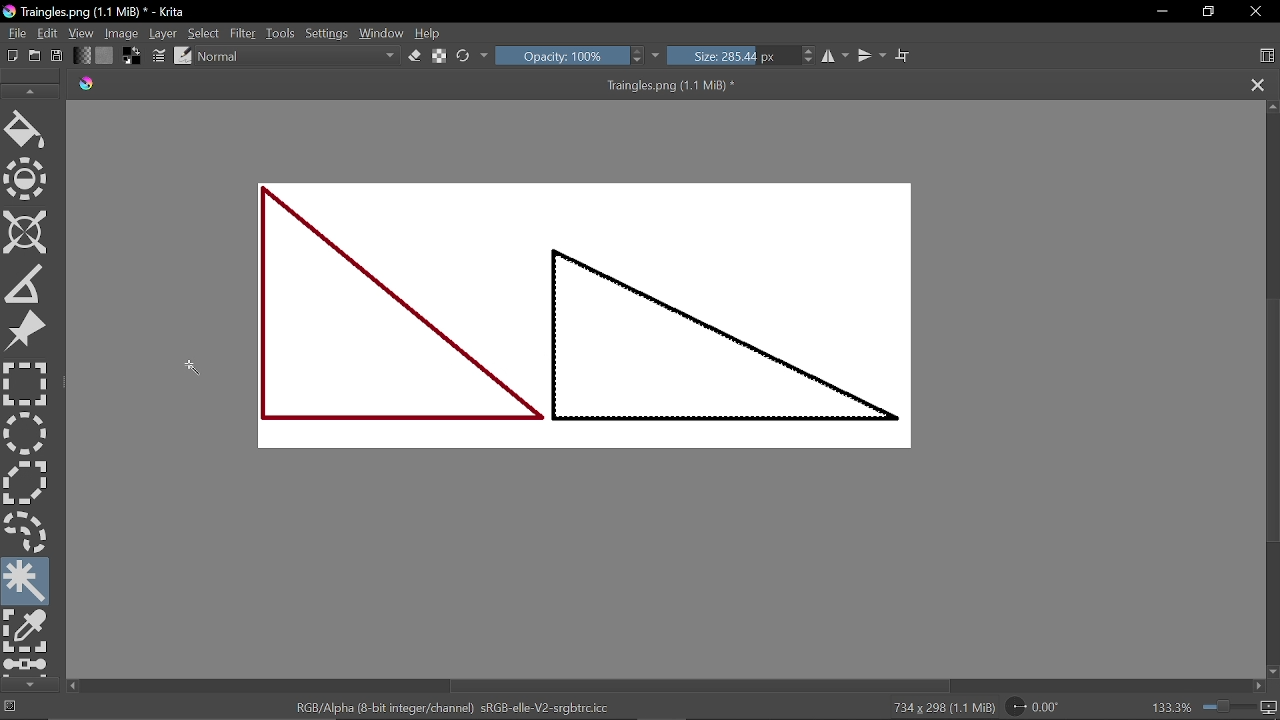  What do you see at coordinates (870, 56) in the screenshot?
I see `Mirror vertically` at bounding box center [870, 56].